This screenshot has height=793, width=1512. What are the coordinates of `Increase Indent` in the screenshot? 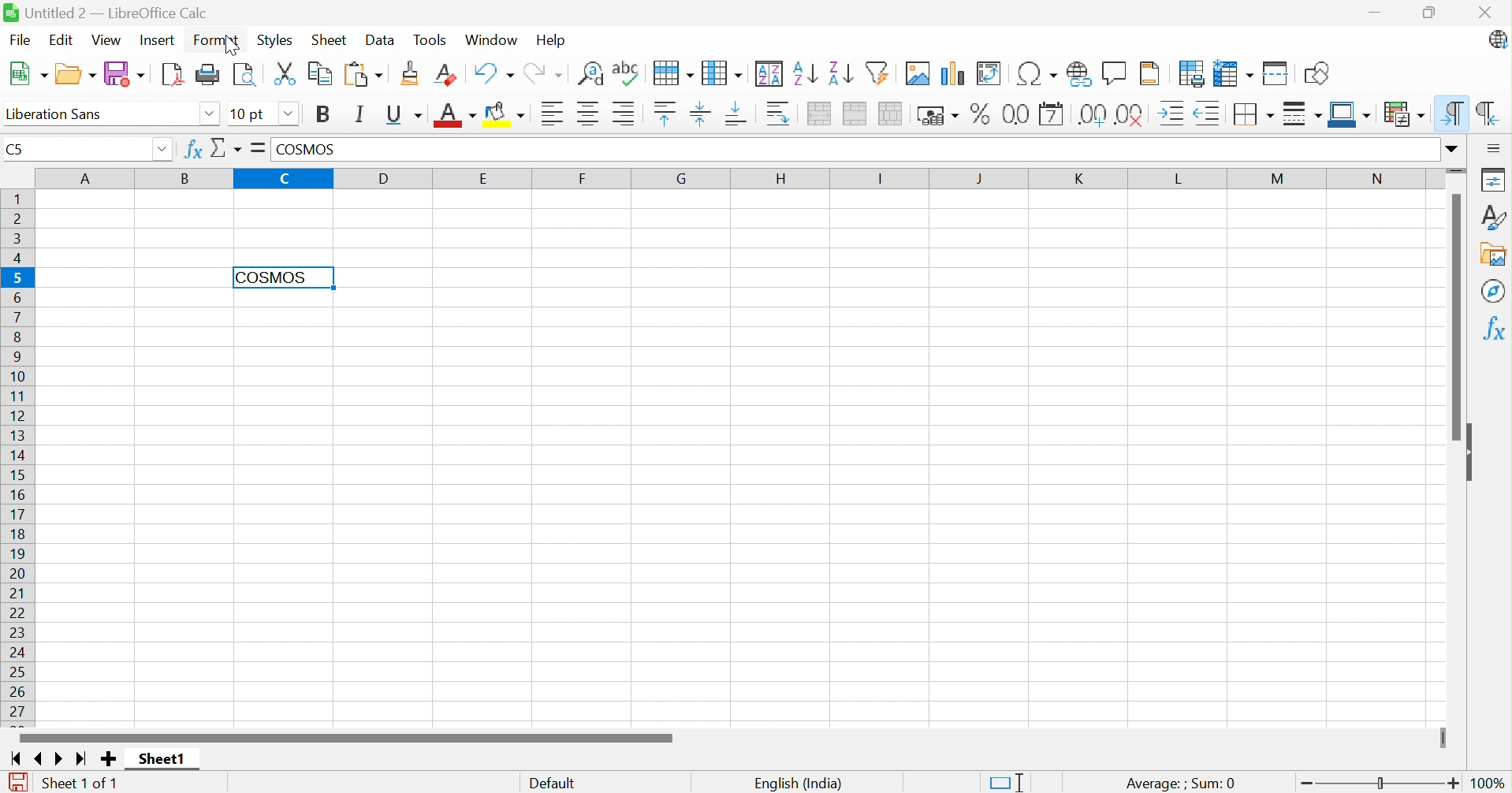 It's located at (1175, 114).